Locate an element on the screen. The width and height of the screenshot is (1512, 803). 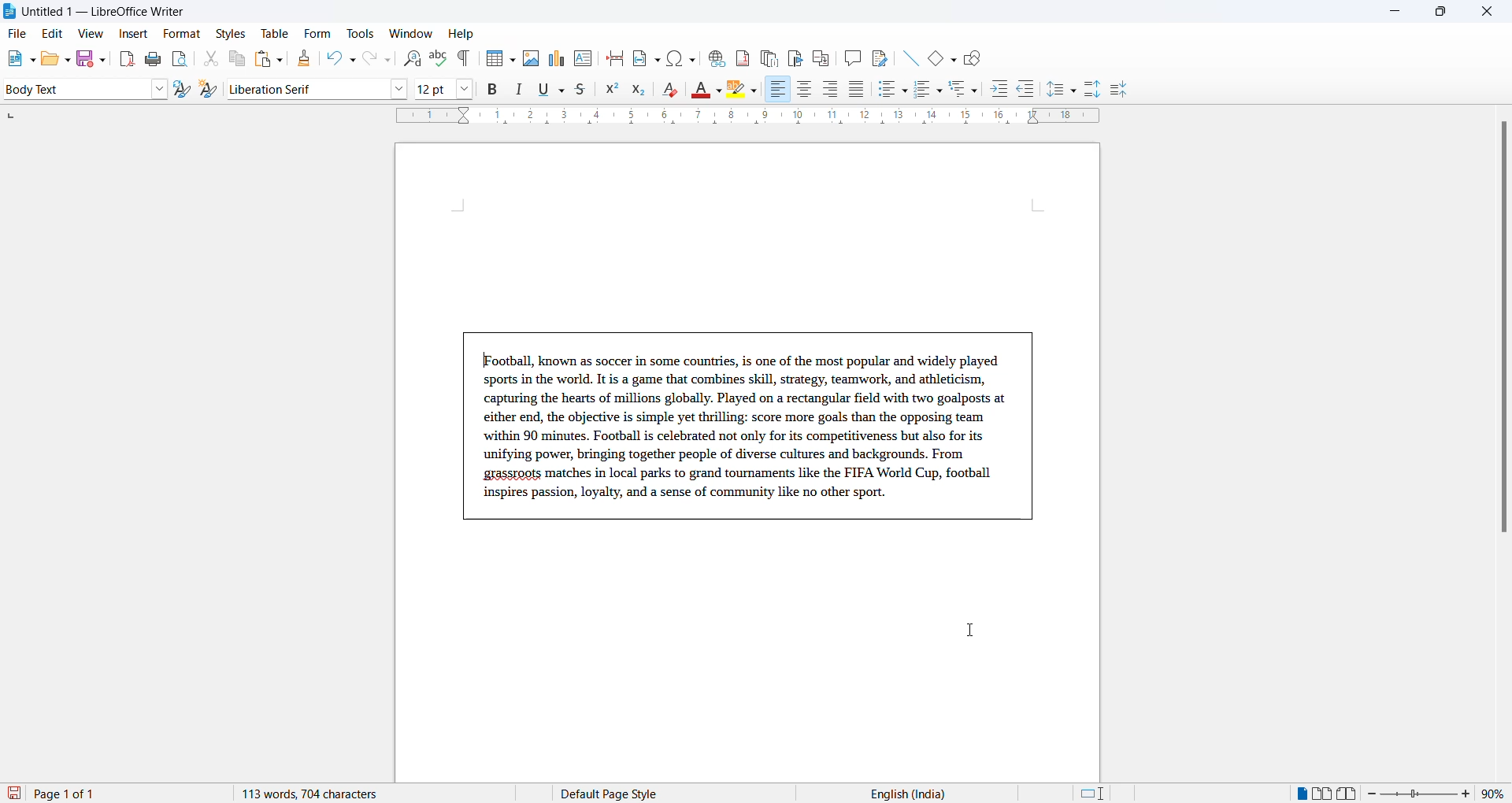
increase paragraph is located at coordinates (1093, 90).